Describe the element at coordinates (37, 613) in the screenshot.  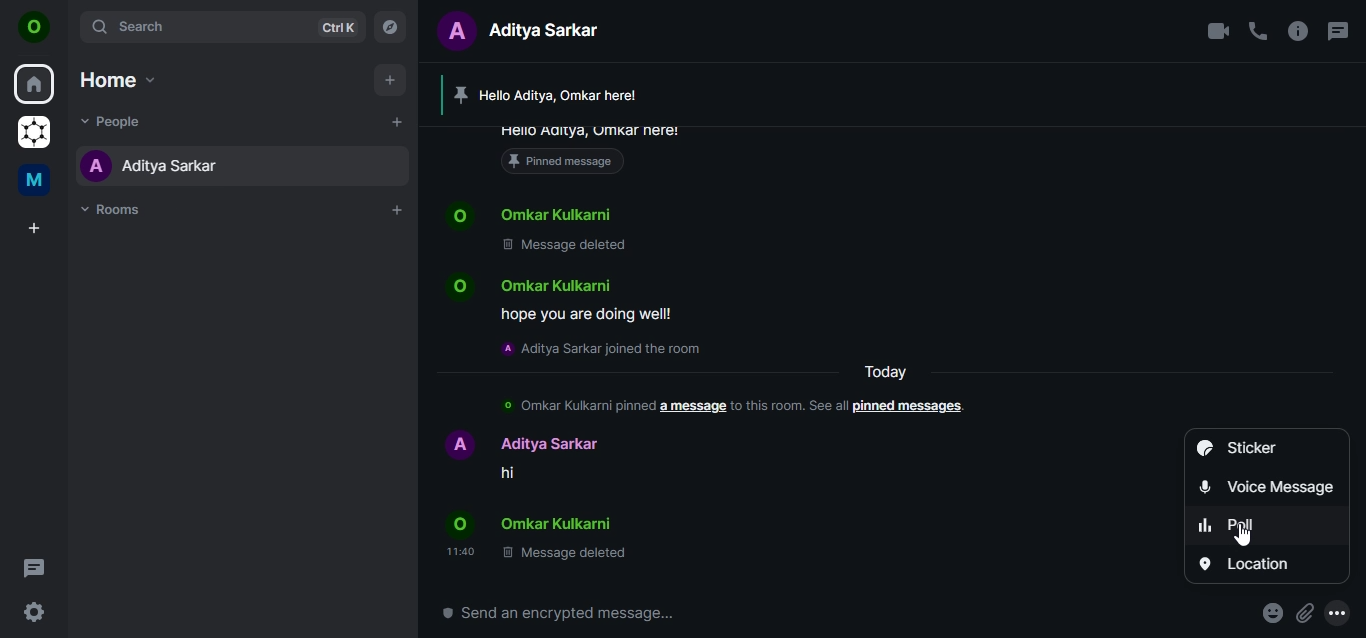
I see `quicker settings` at that location.